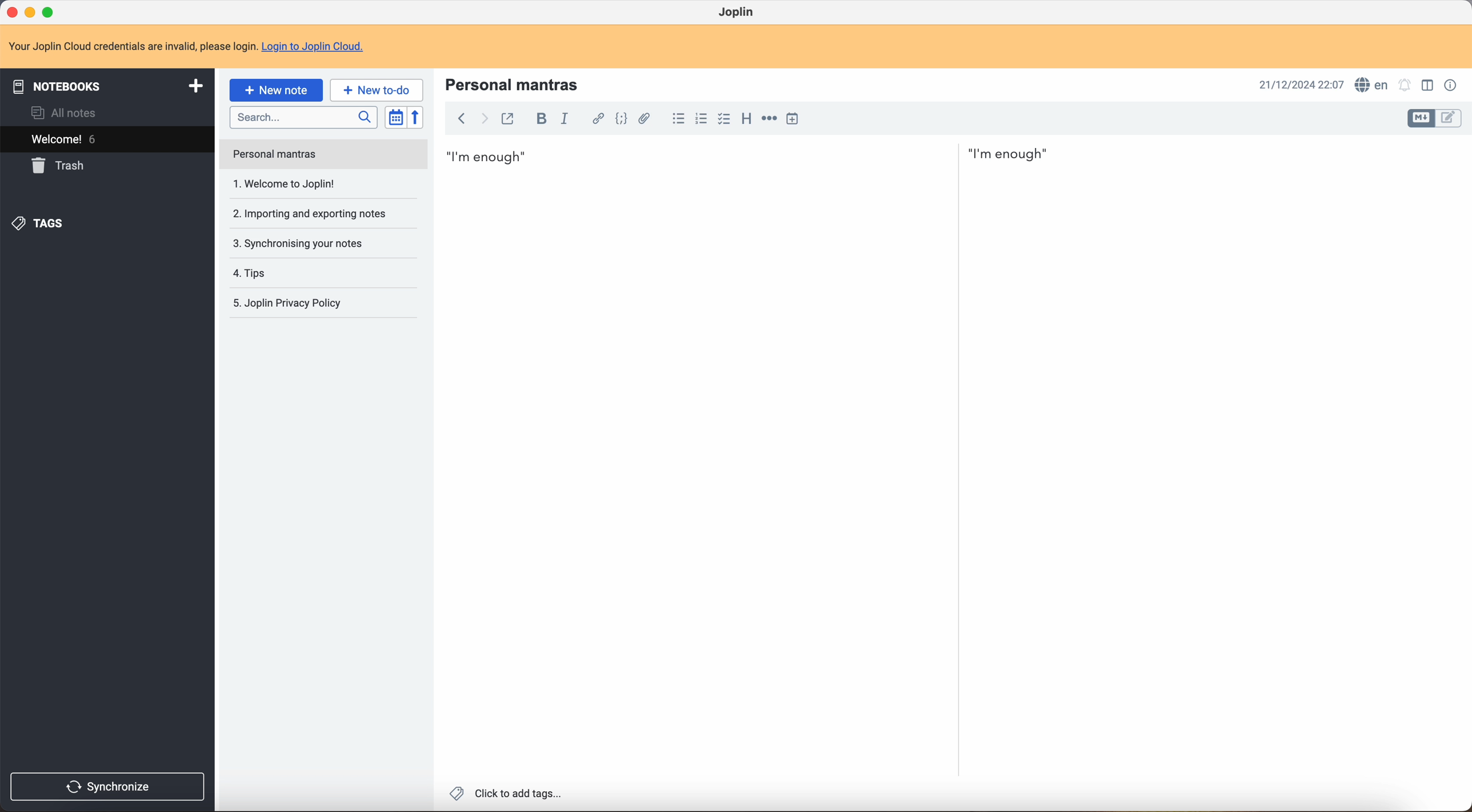 The height and width of the screenshot is (812, 1472). I want to click on note properties, so click(1451, 86).